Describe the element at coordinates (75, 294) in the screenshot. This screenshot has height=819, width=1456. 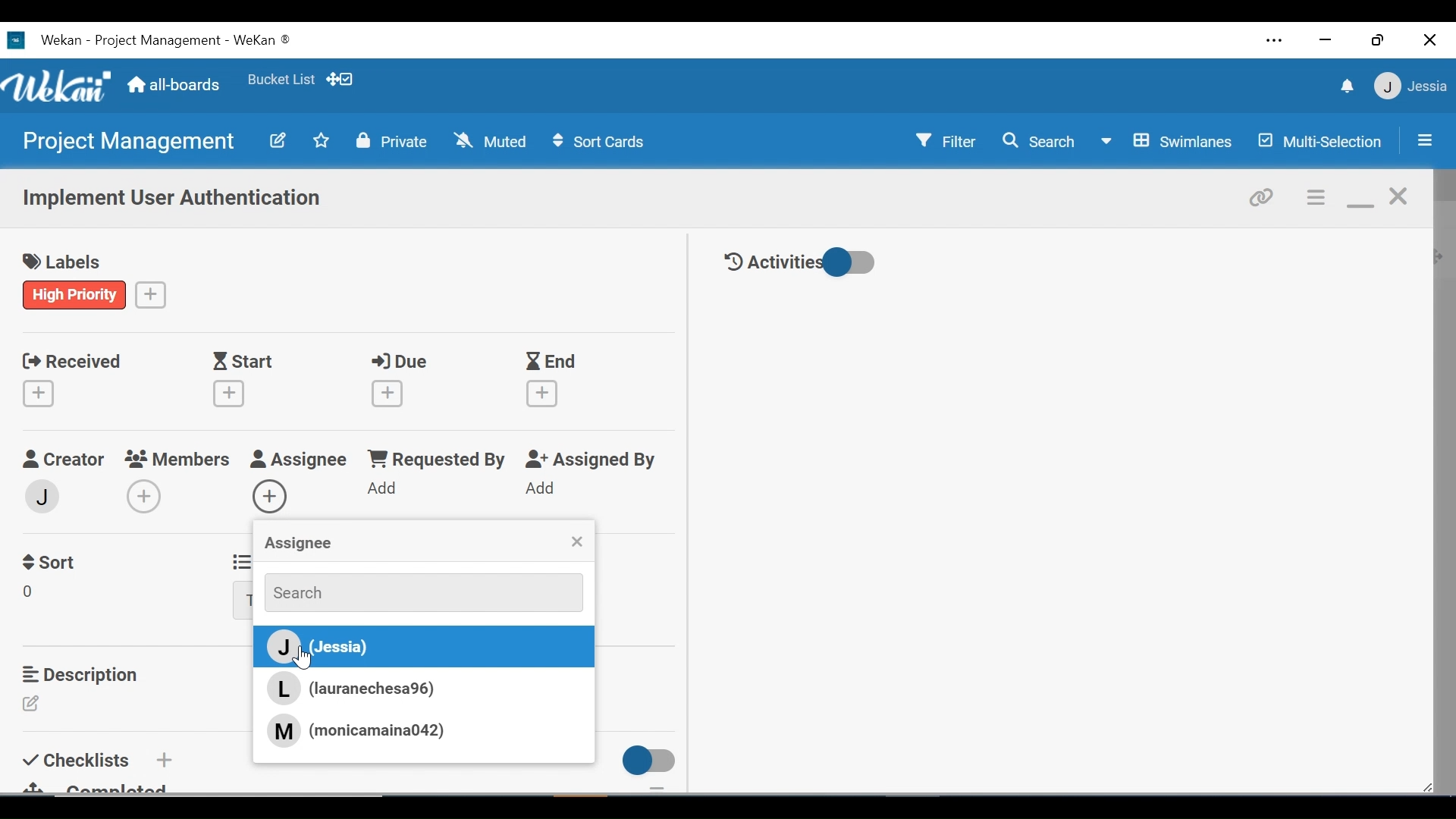
I see `high priority` at that location.